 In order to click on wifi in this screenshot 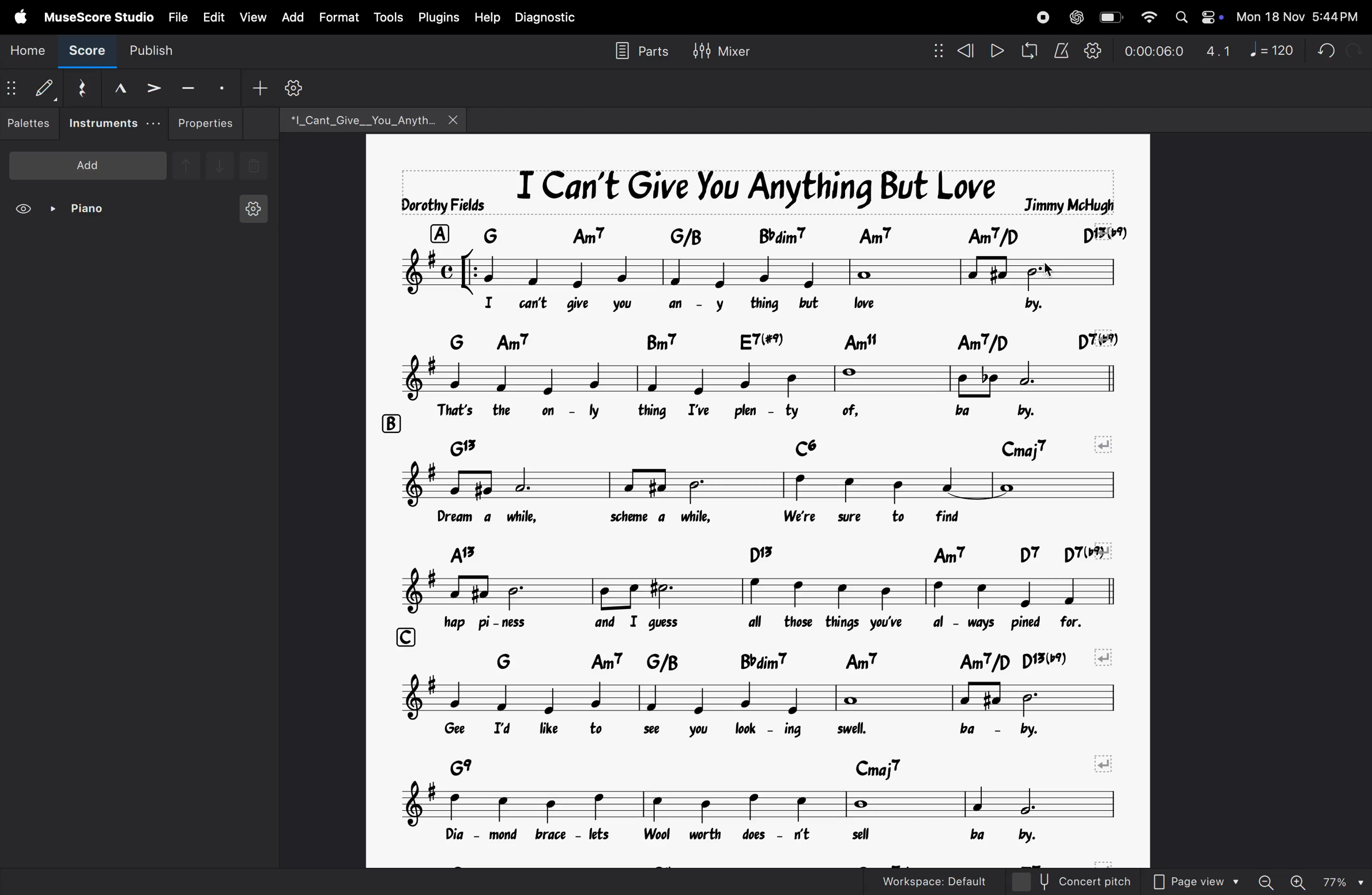, I will do `click(1147, 18)`.